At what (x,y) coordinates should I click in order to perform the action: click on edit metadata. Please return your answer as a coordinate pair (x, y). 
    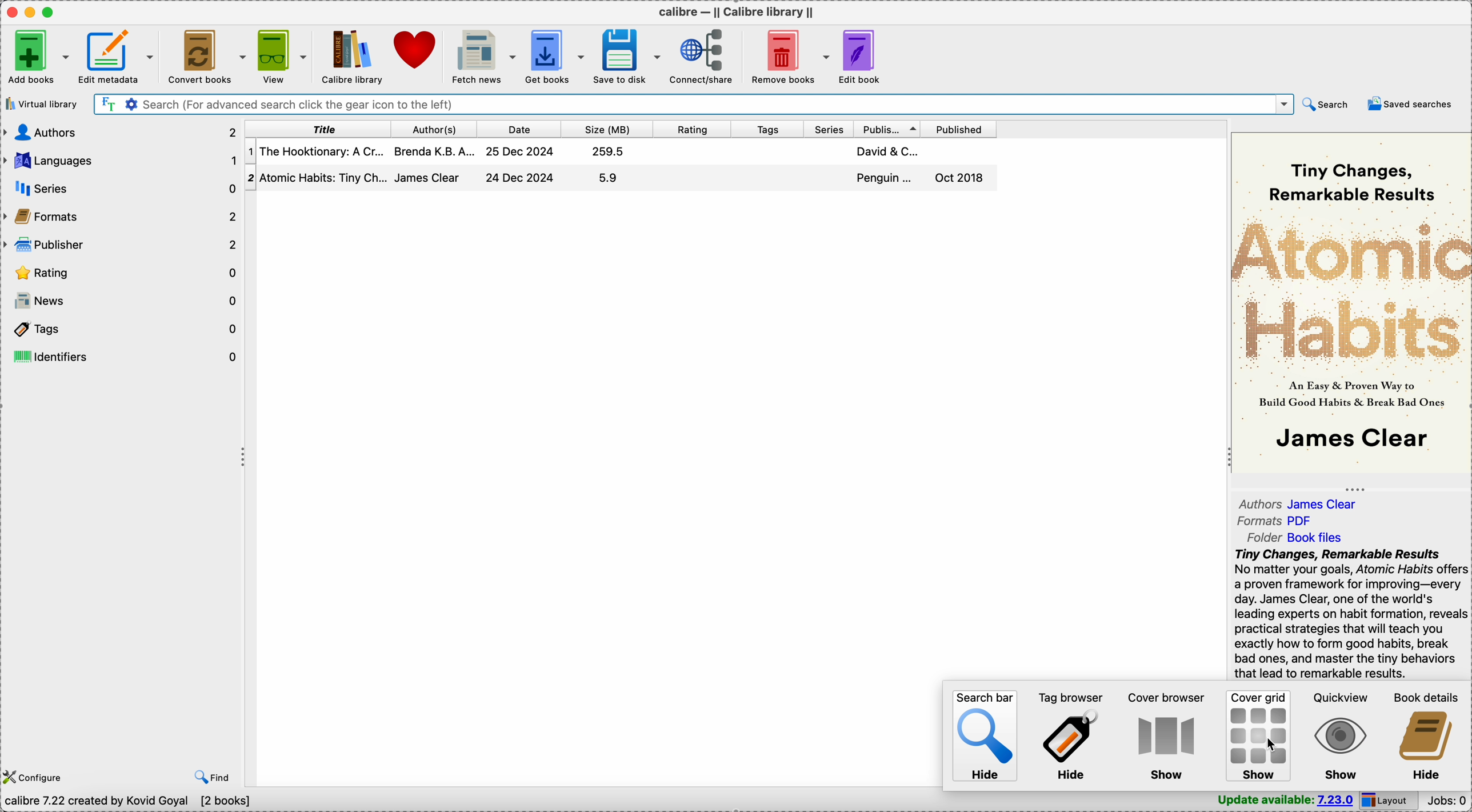
    Looking at the image, I should click on (115, 57).